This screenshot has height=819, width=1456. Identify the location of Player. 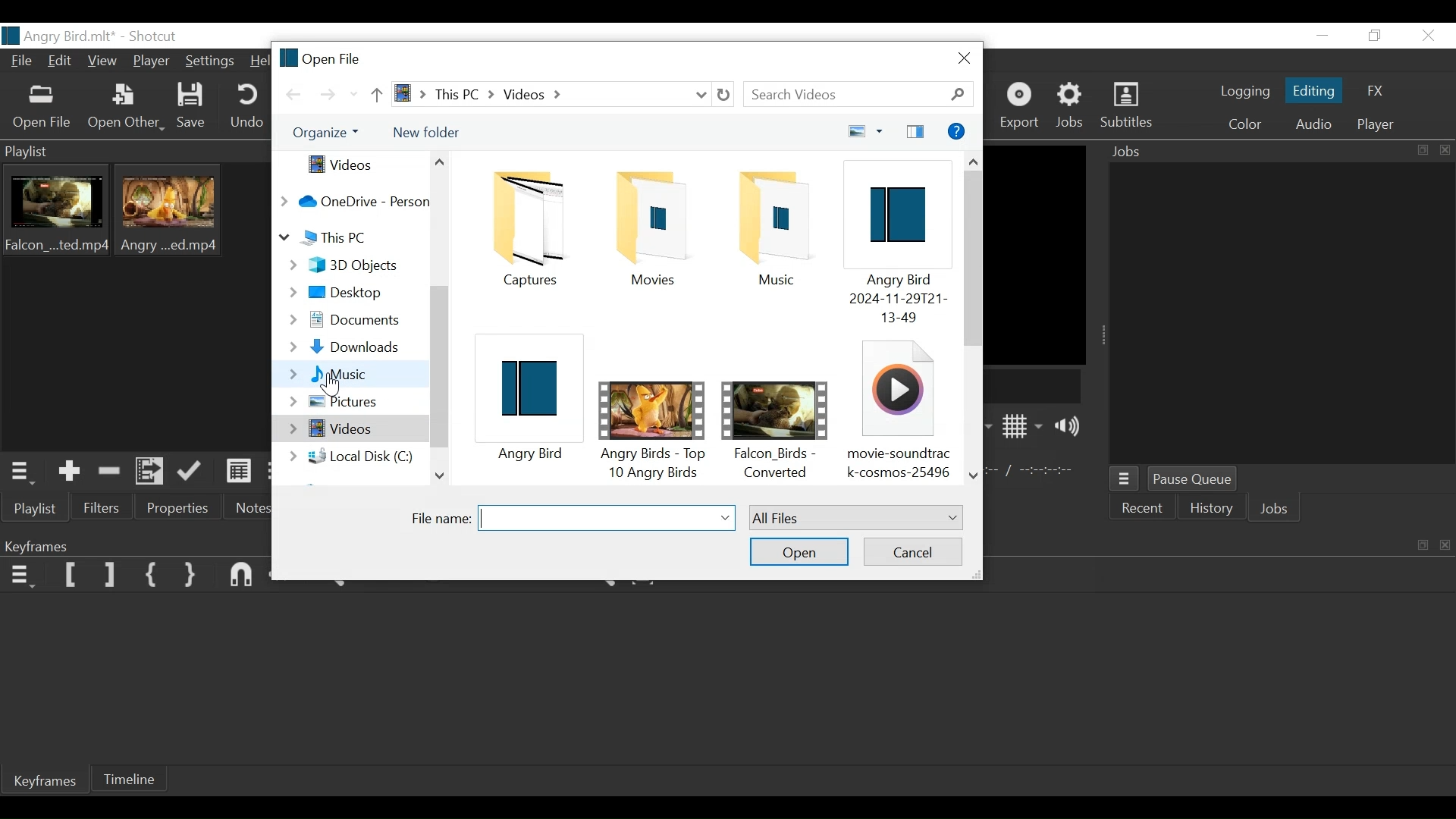
(151, 61).